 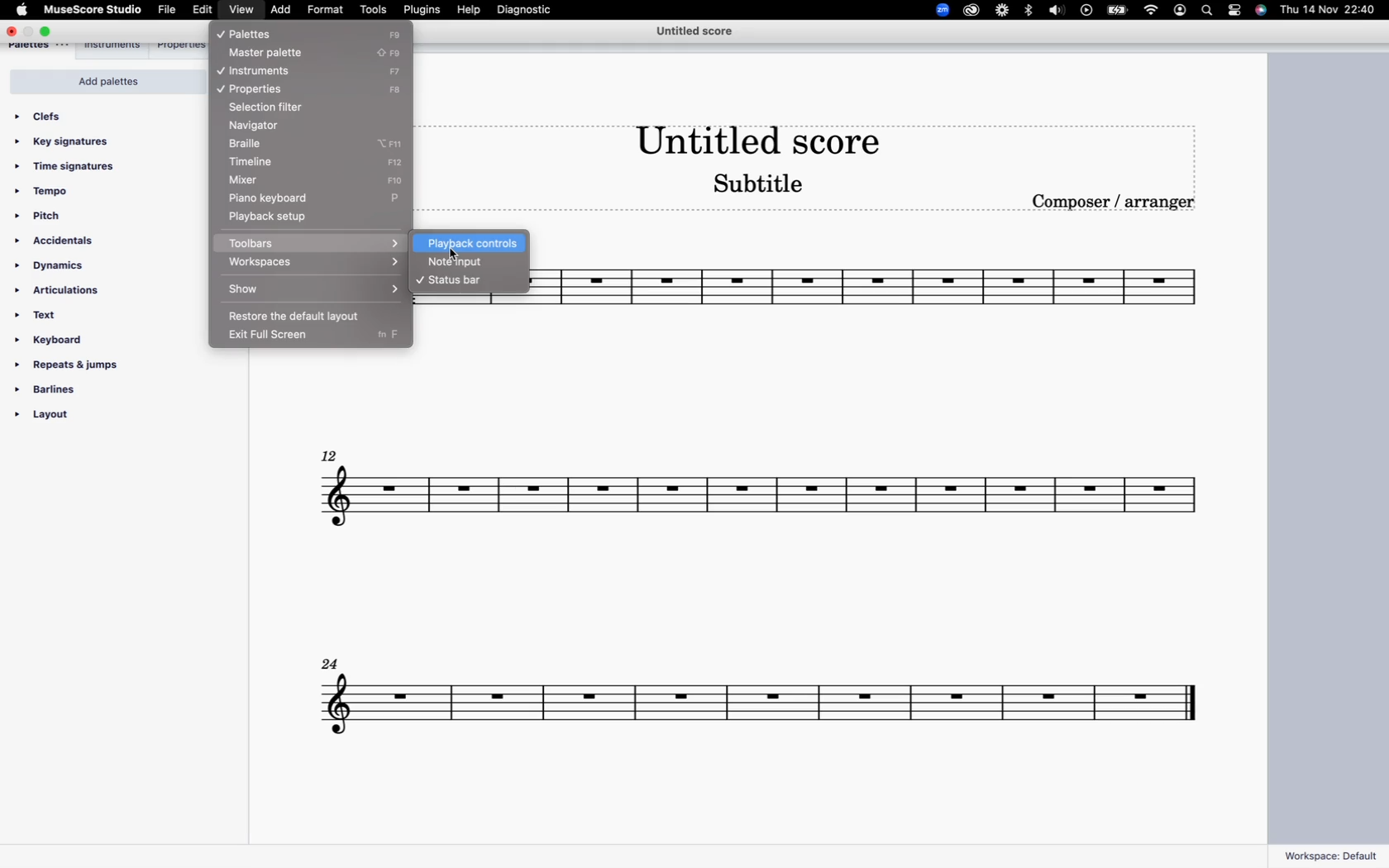 I want to click on articulations, so click(x=66, y=291).